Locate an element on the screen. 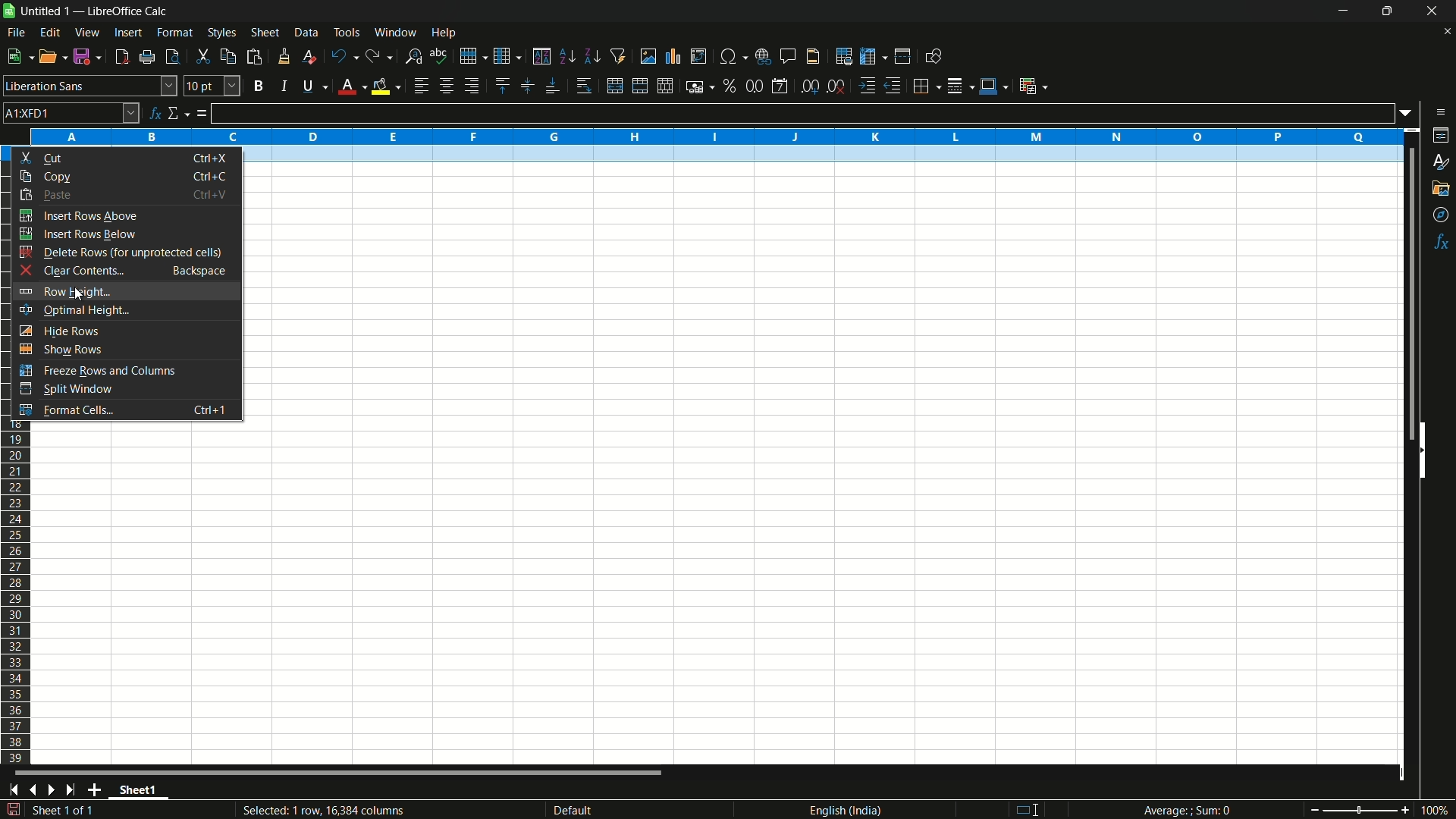  align center is located at coordinates (446, 86).